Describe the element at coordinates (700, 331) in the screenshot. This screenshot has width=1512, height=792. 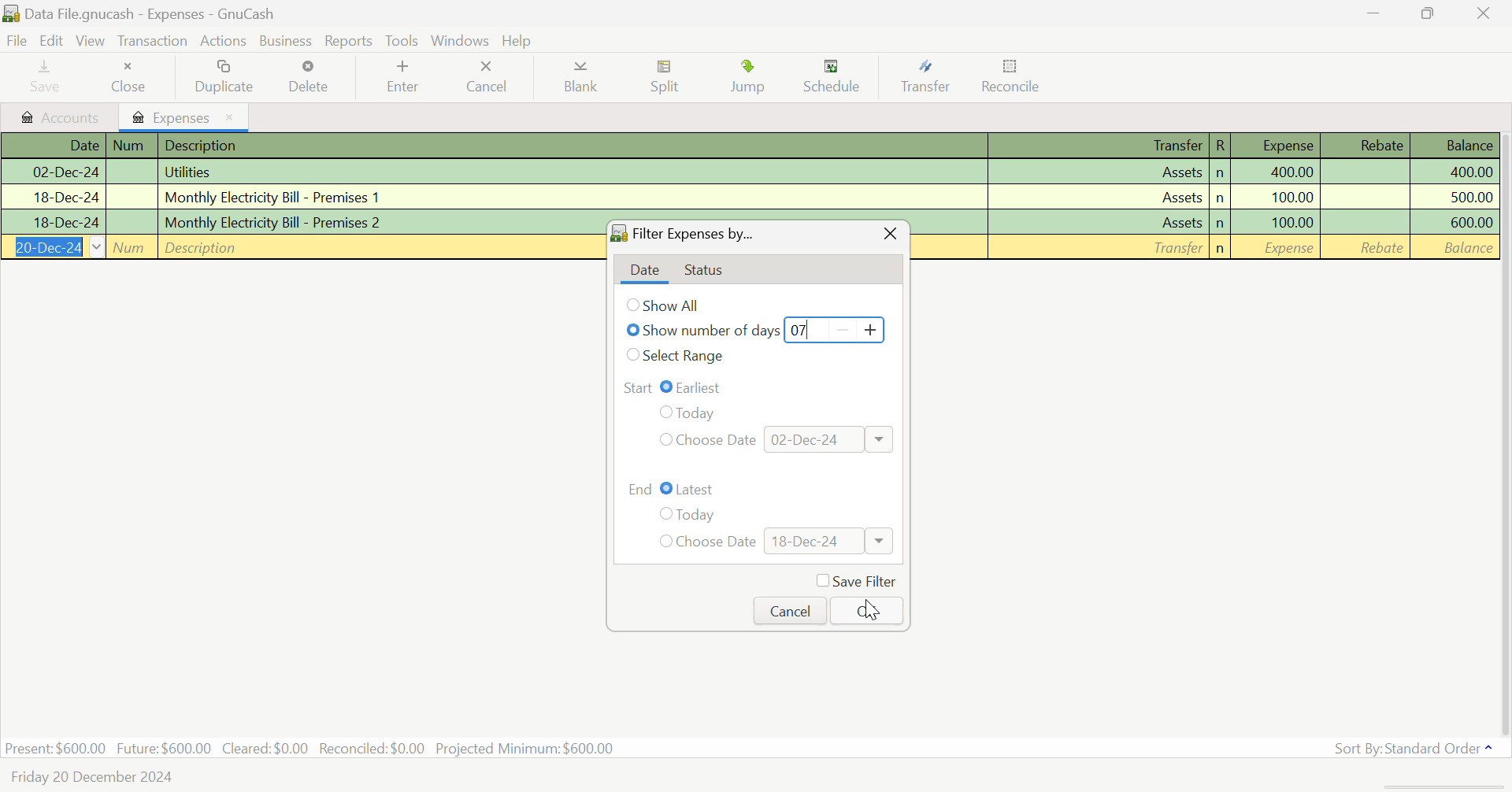
I see `Show number of days selected` at that location.